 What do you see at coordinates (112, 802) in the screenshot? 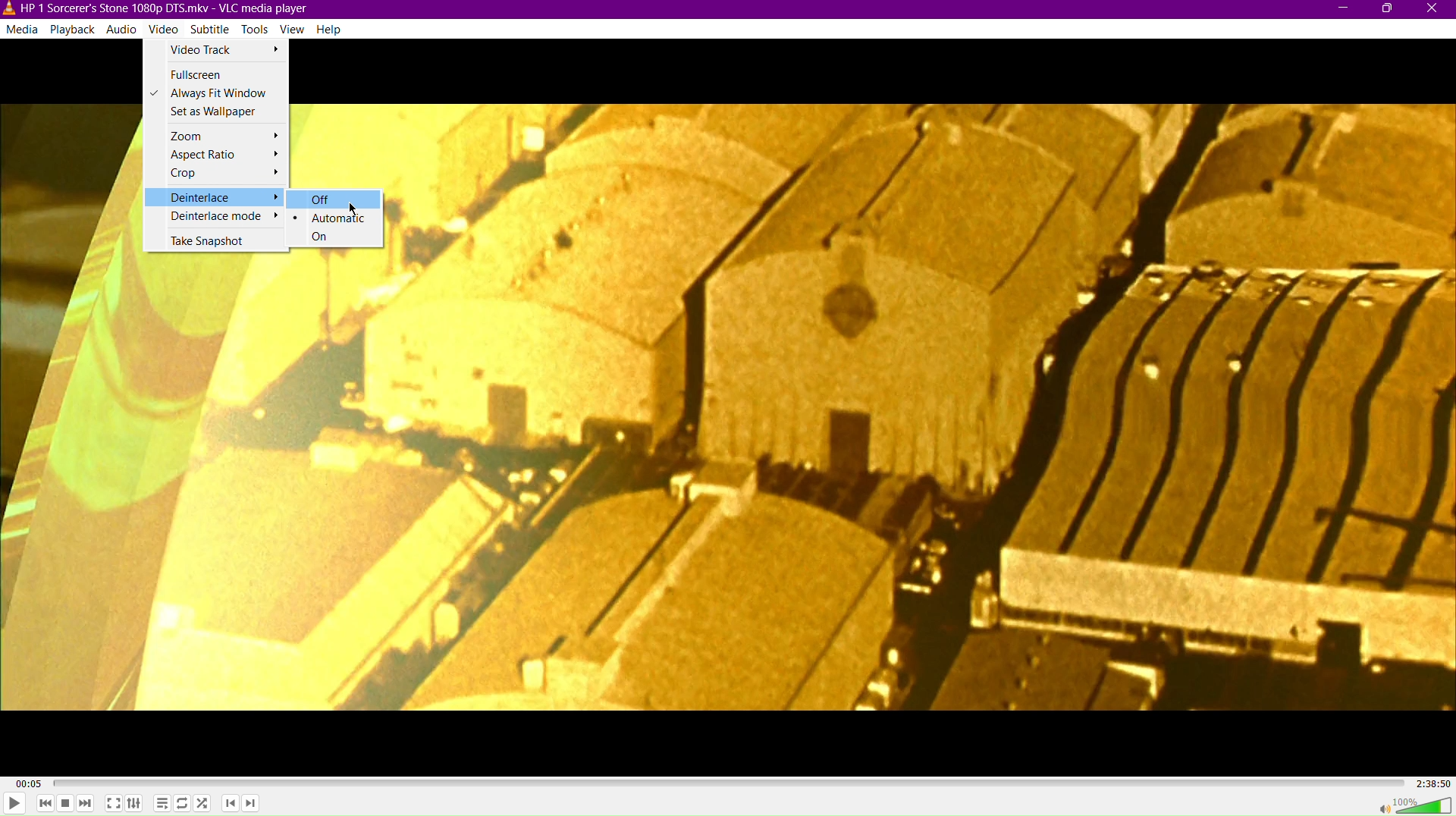
I see `Fullscreen` at bounding box center [112, 802].